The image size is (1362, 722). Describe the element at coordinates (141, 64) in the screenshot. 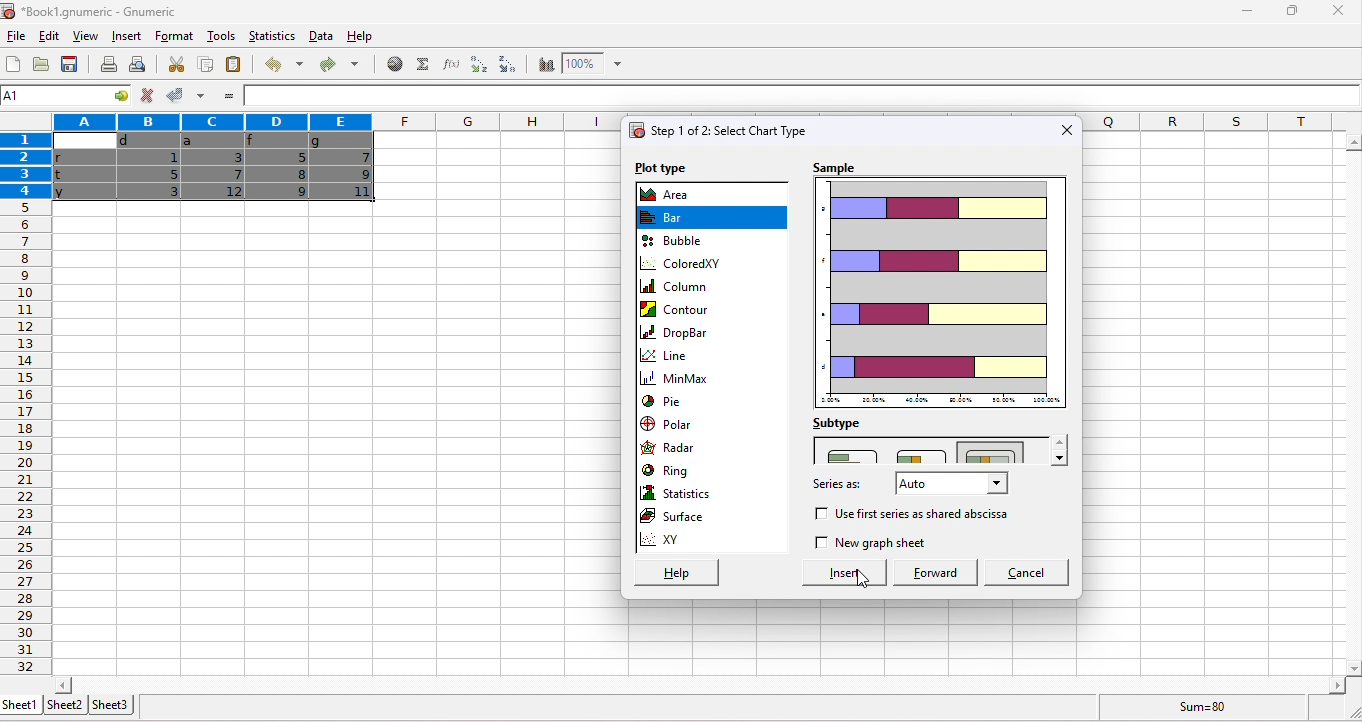

I see `print preview` at that location.